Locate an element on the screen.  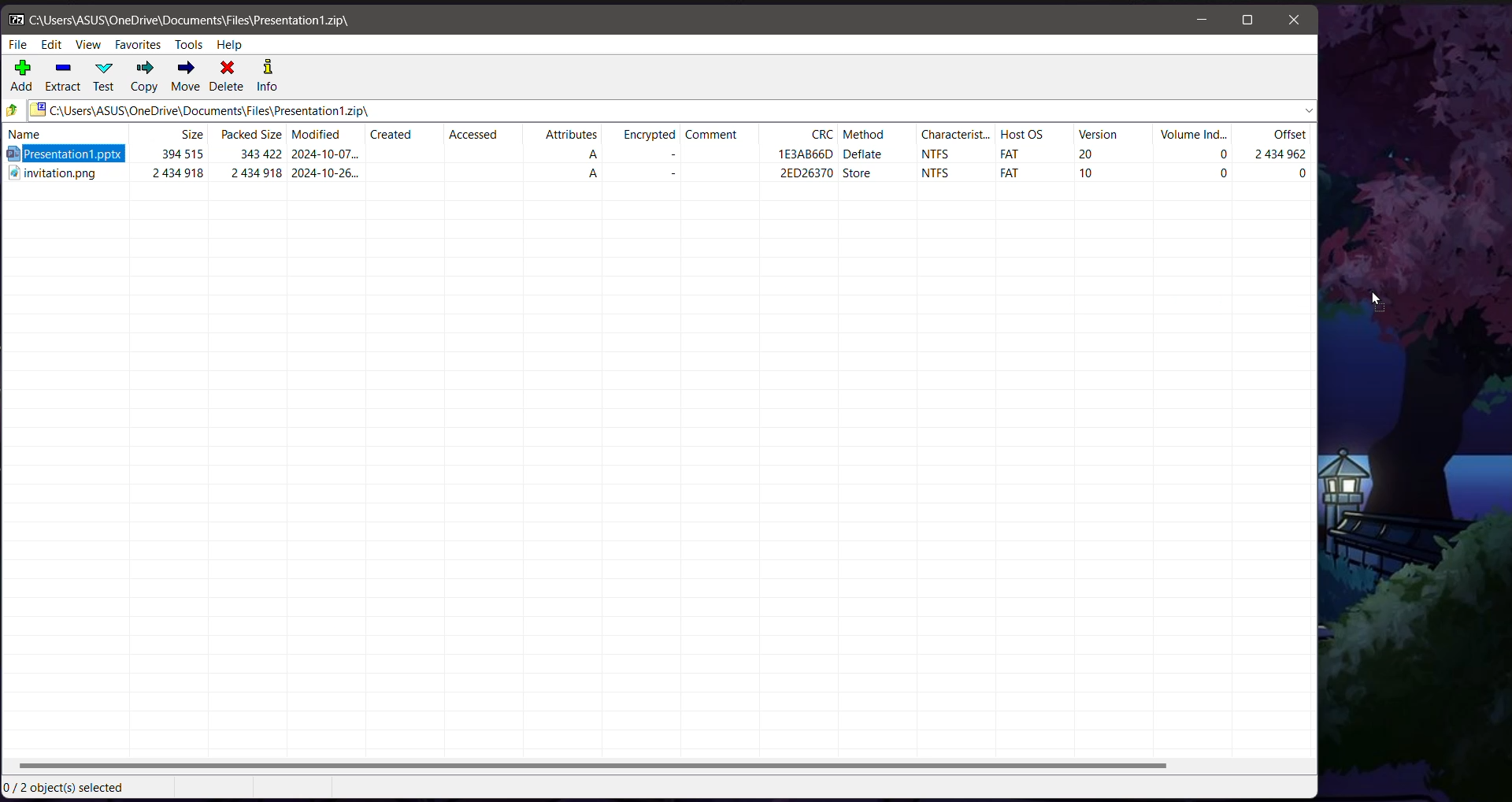
Current Folder Path is located at coordinates (192, 20).